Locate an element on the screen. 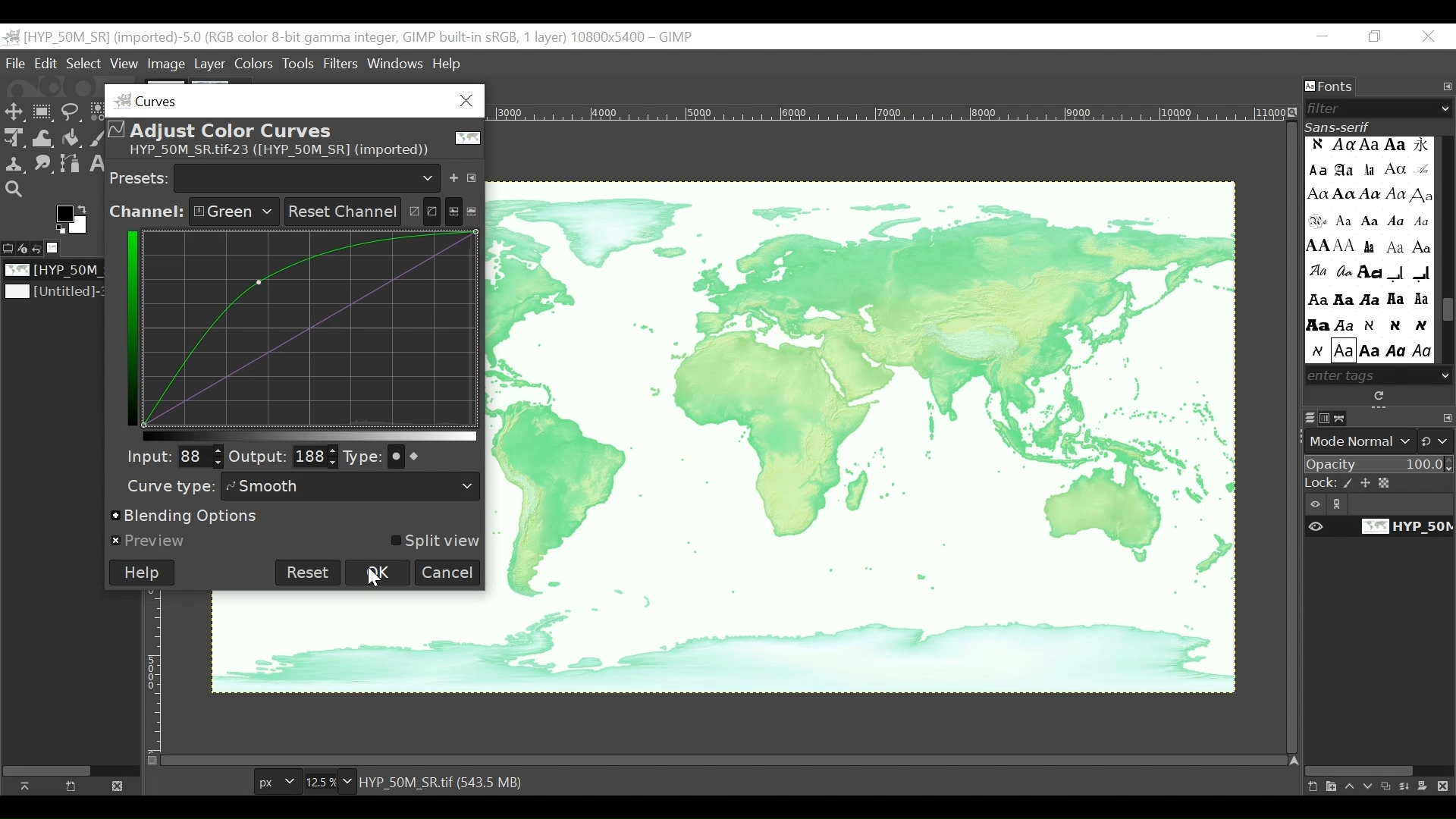  Clone tool is located at coordinates (14, 164).